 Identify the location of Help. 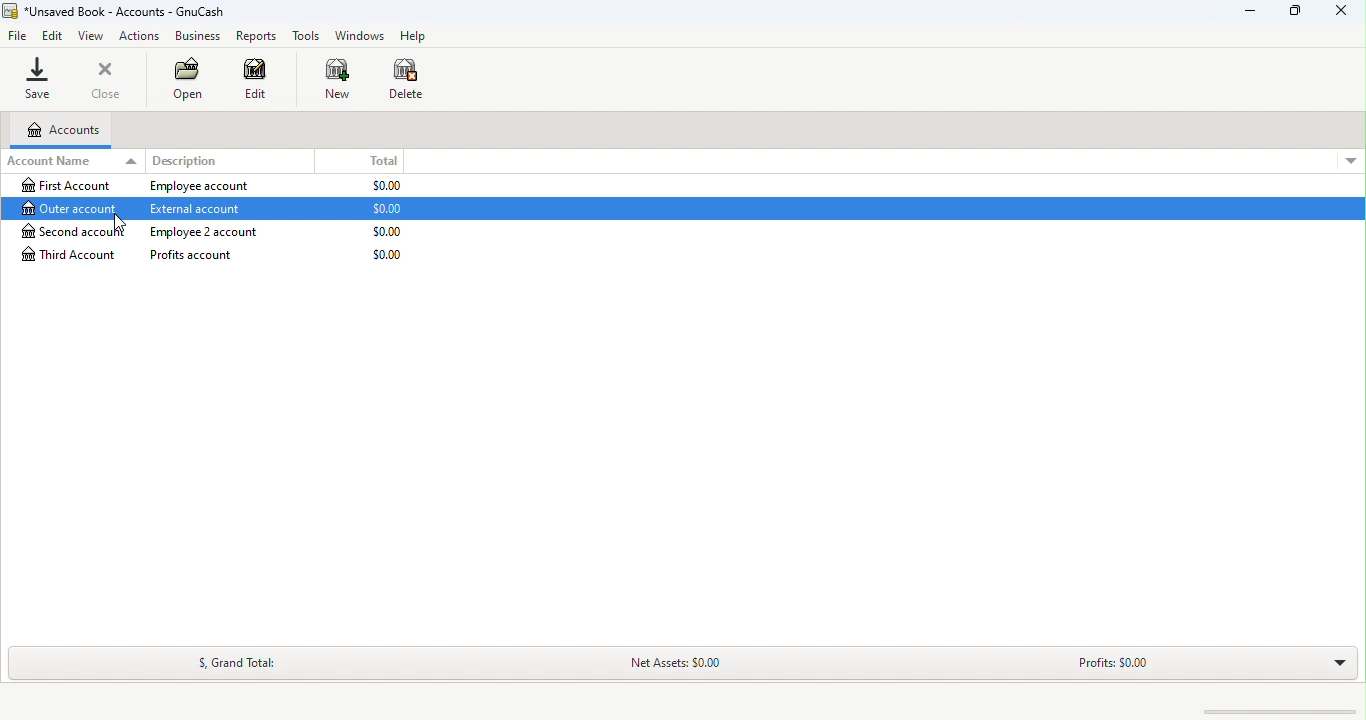
(413, 35).